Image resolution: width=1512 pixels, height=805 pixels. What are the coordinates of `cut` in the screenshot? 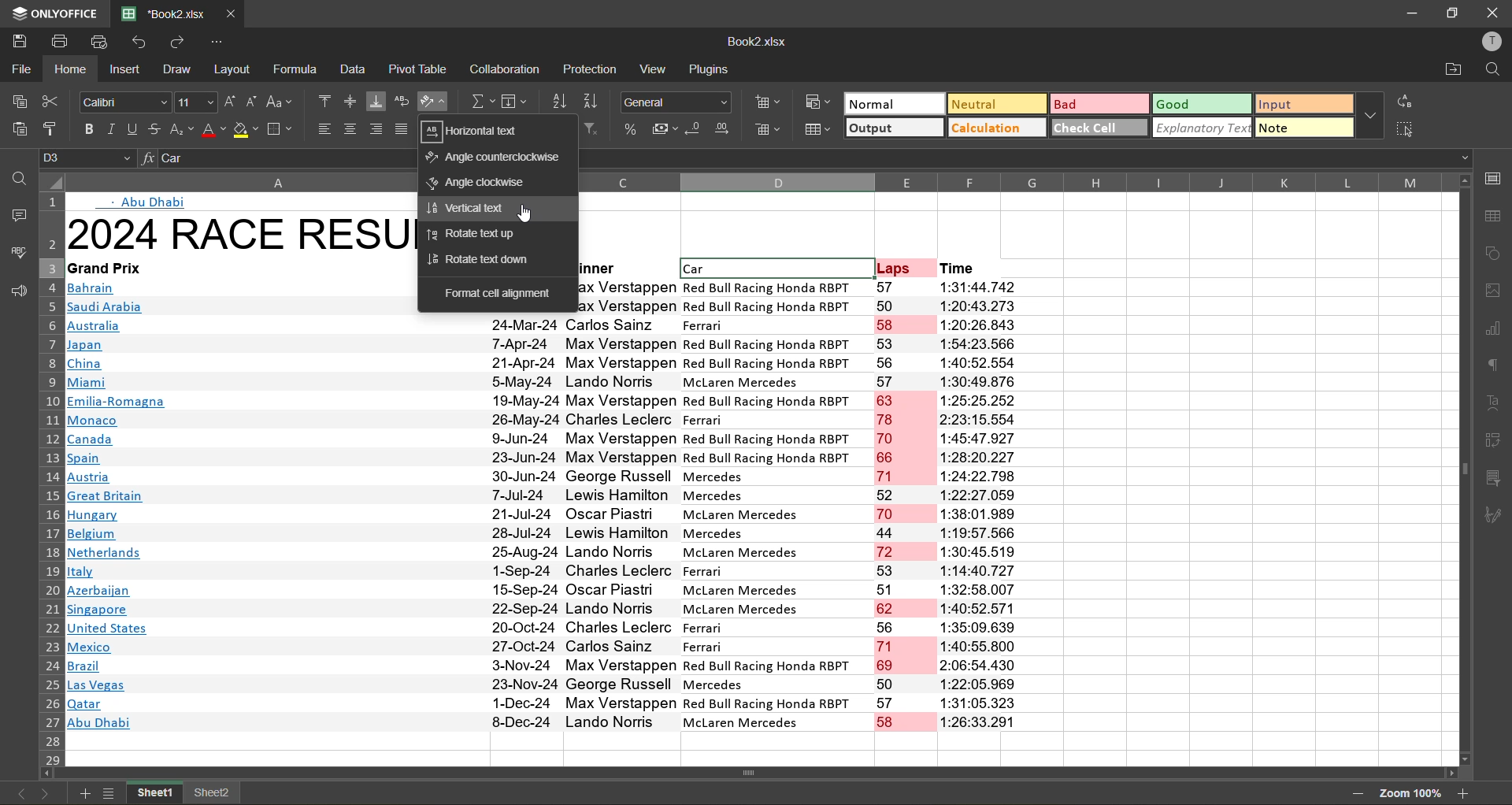 It's located at (53, 103).